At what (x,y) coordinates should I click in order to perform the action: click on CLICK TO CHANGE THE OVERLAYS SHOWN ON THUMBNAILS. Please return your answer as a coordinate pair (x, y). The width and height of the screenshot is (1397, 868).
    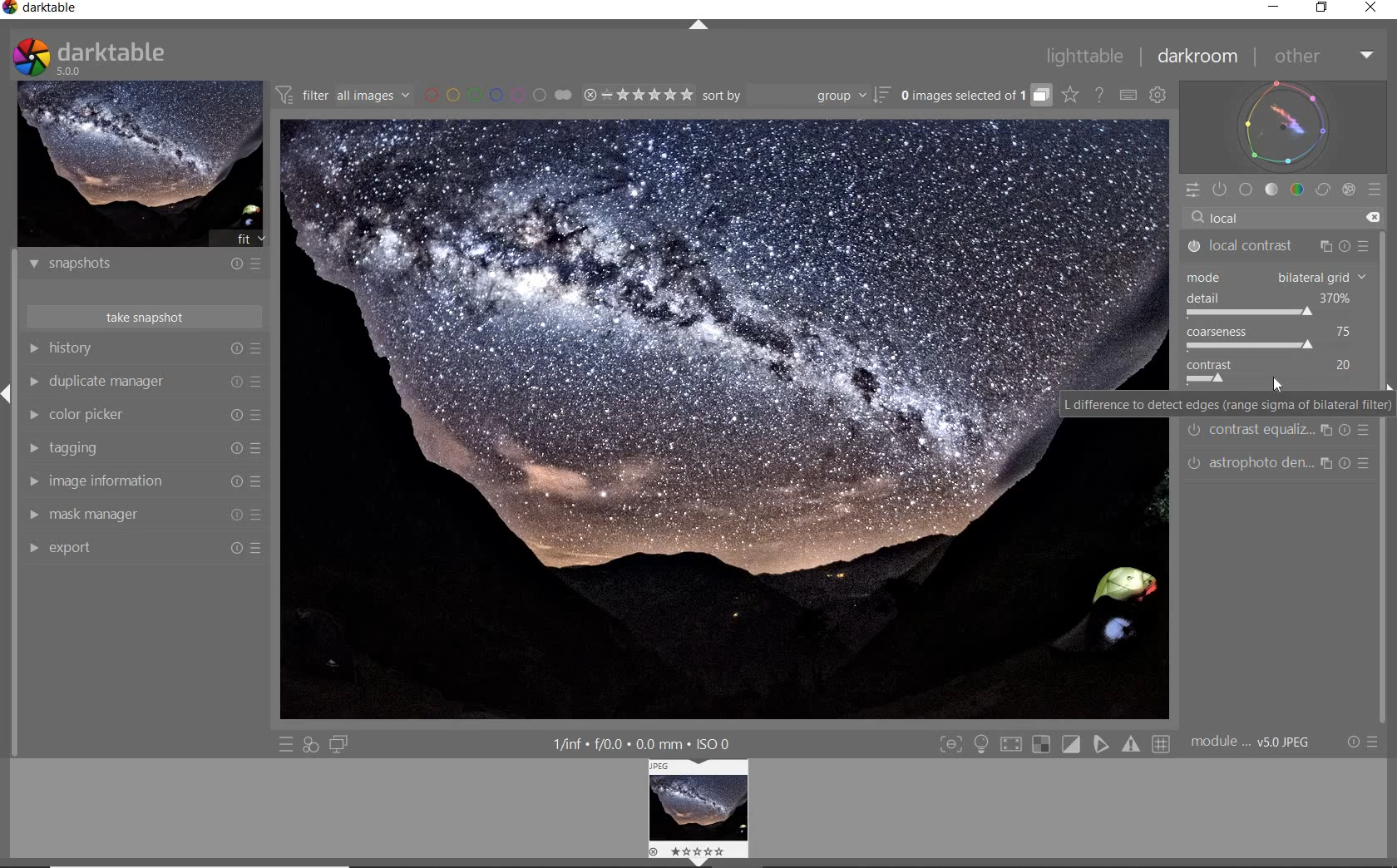
    Looking at the image, I should click on (1071, 96).